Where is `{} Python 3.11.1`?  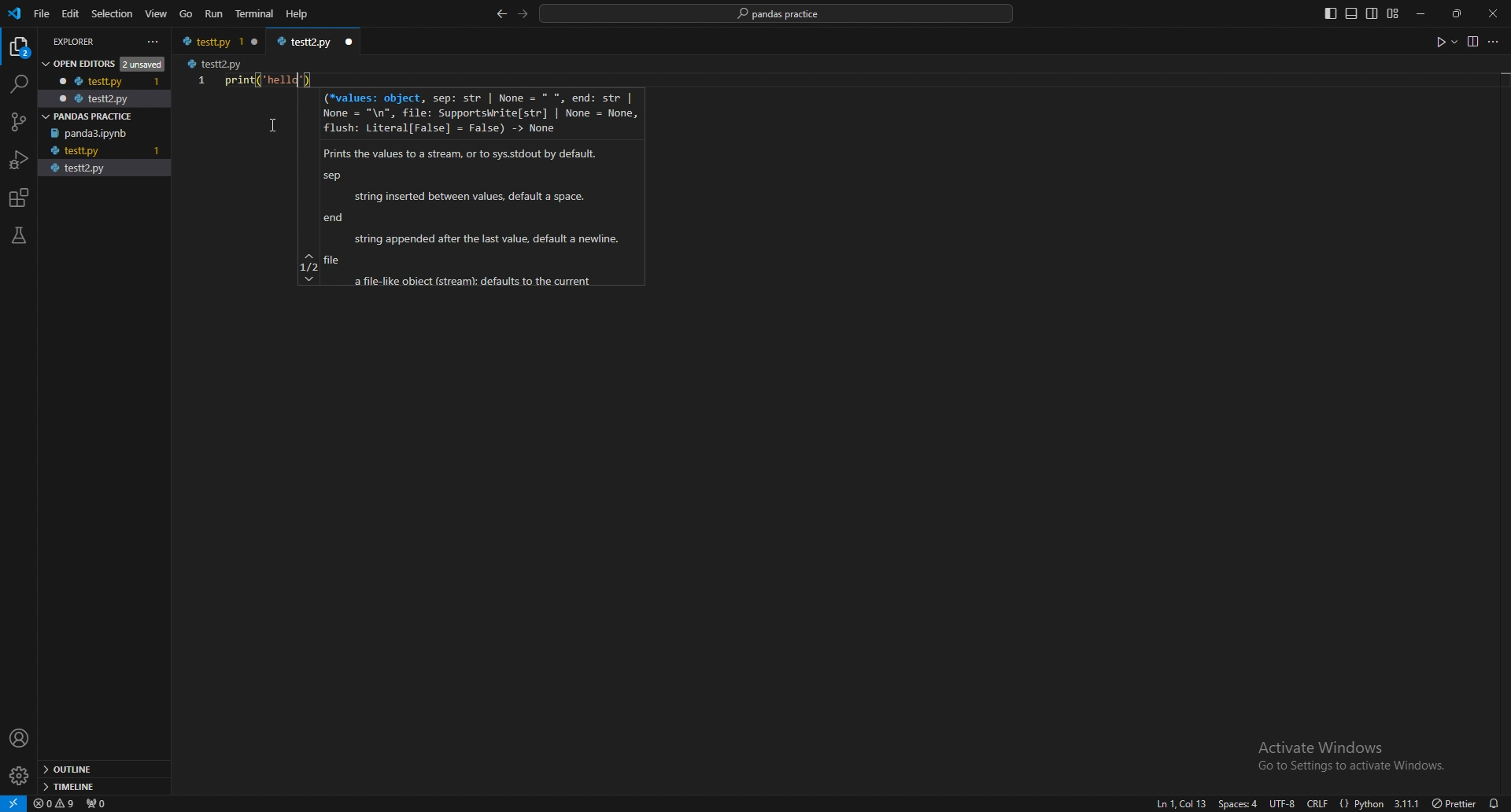
{} Python 3.11.1 is located at coordinates (1380, 800).